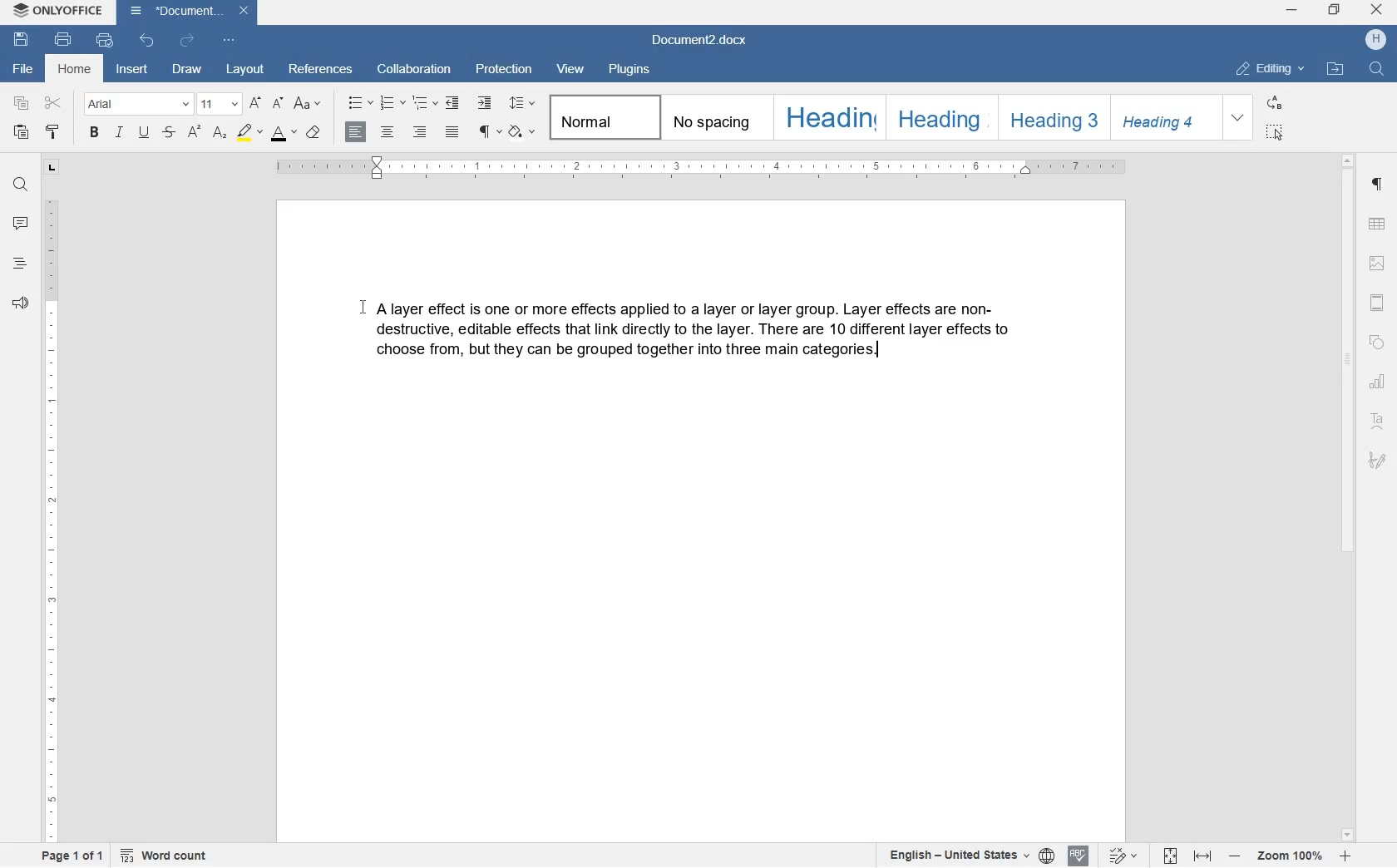  I want to click on save, so click(22, 41).